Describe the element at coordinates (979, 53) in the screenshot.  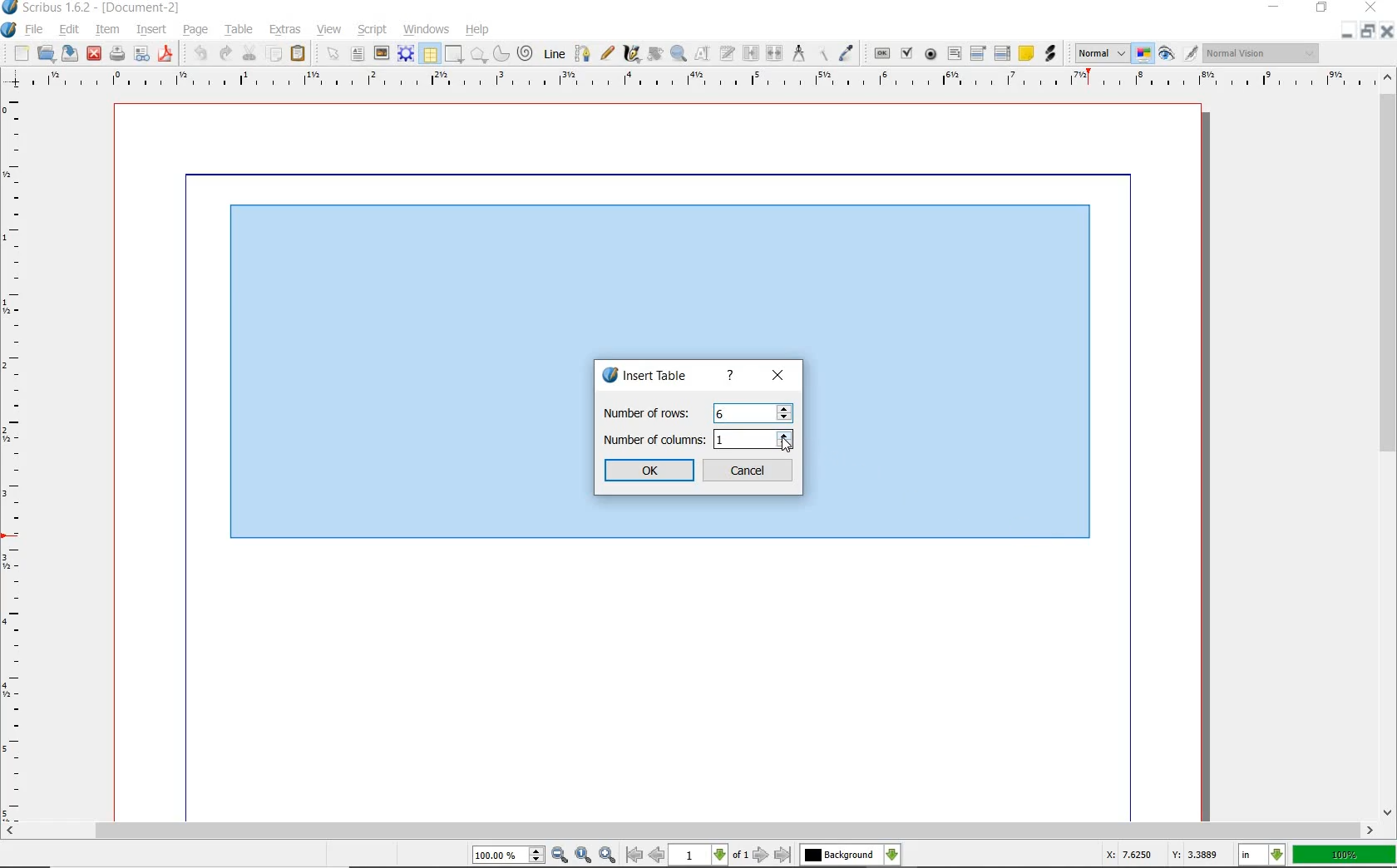
I see `pdf combo box` at that location.